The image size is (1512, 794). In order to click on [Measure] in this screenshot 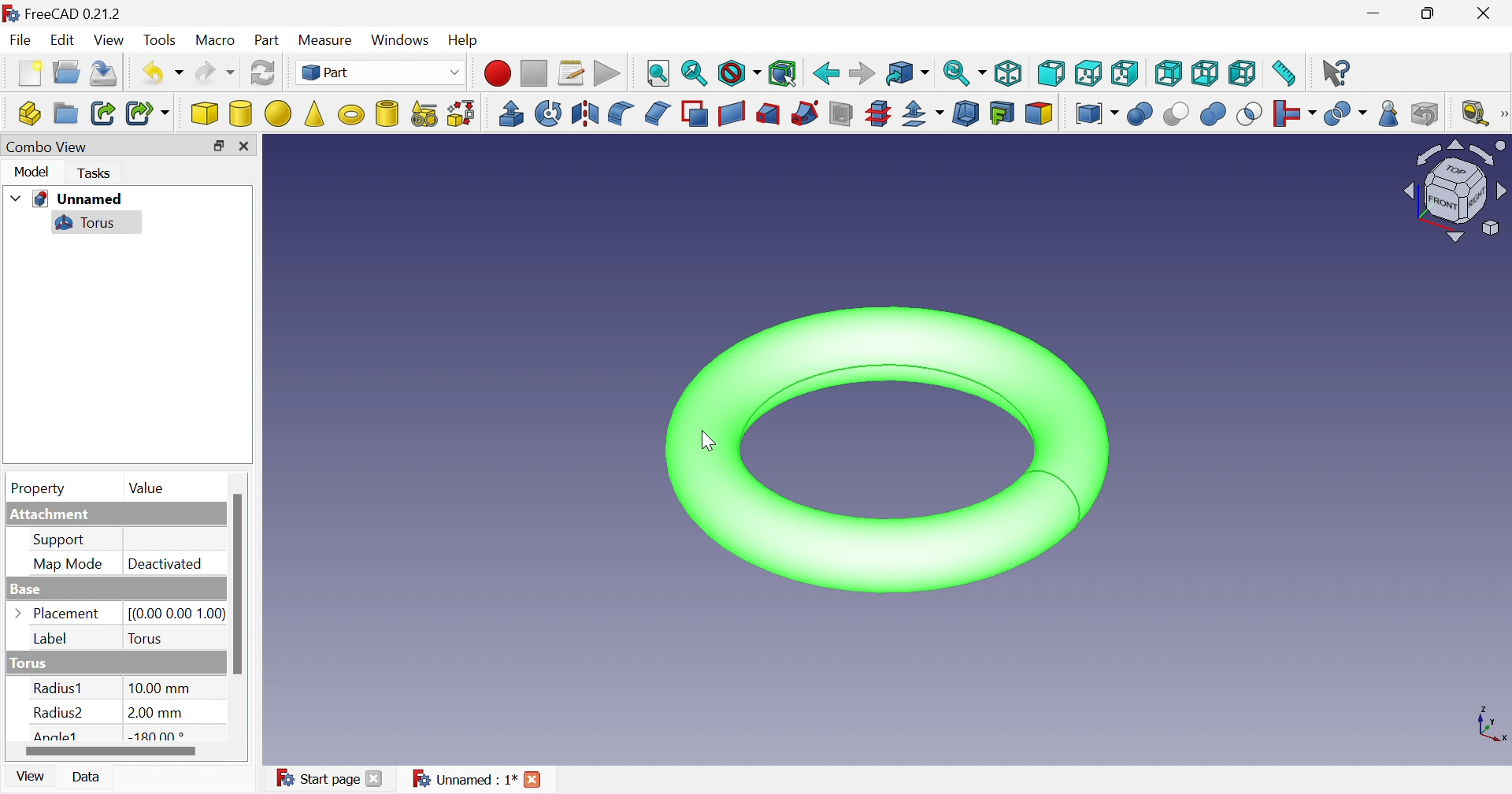, I will do `click(1503, 113)`.